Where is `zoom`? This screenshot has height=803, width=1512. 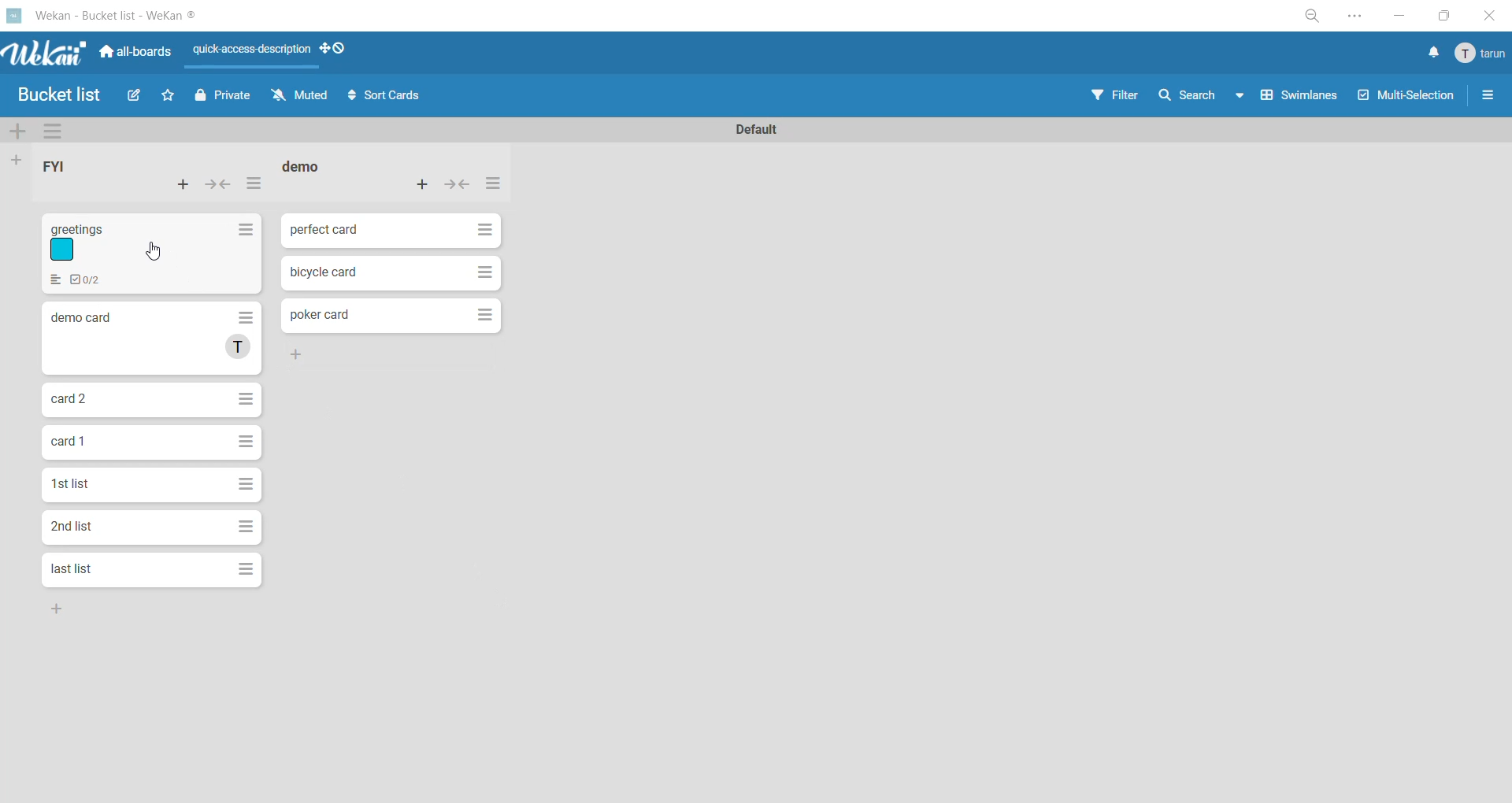 zoom is located at coordinates (1311, 17).